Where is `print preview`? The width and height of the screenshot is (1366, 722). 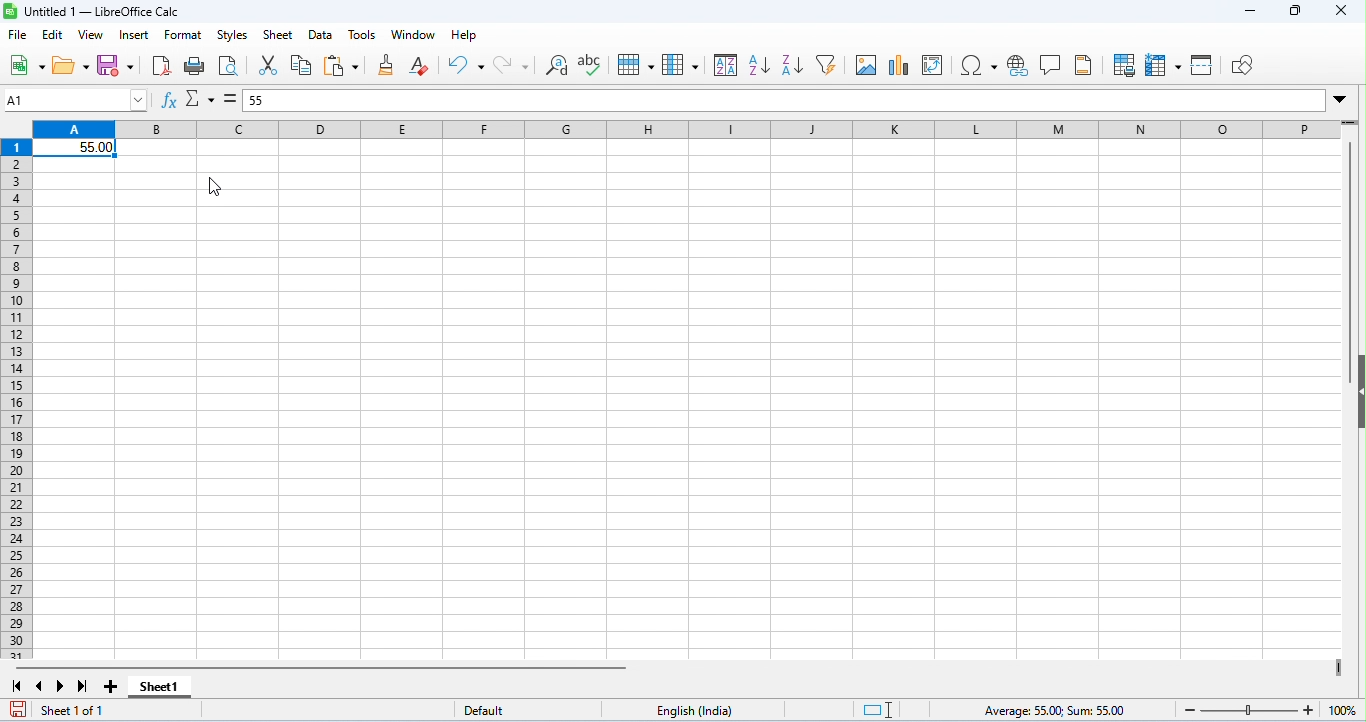
print preview is located at coordinates (230, 67).